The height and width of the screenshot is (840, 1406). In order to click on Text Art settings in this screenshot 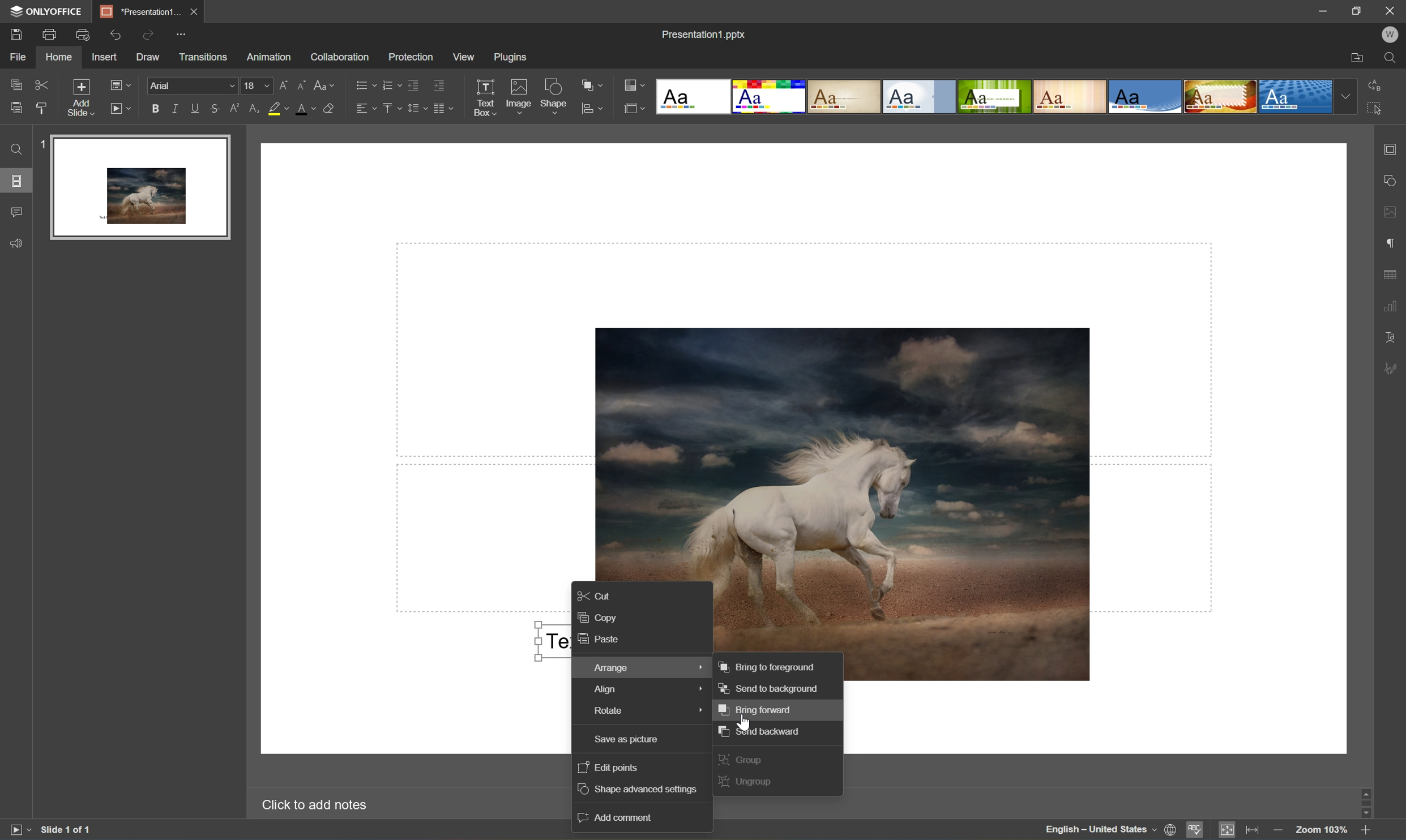, I will do `click(1393, 338)`.